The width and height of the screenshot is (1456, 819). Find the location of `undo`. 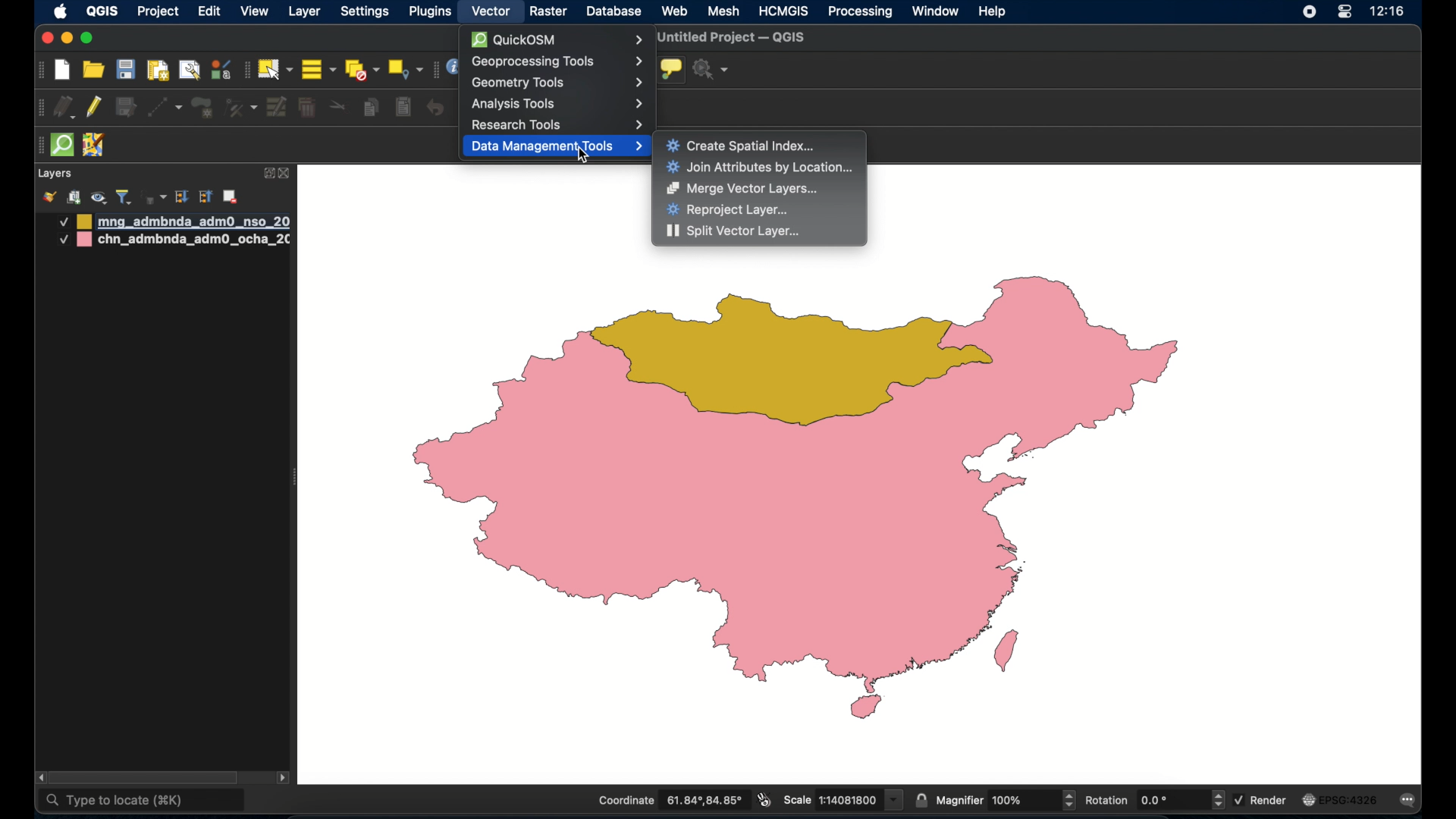

undo is located at coordinates (436, 108).